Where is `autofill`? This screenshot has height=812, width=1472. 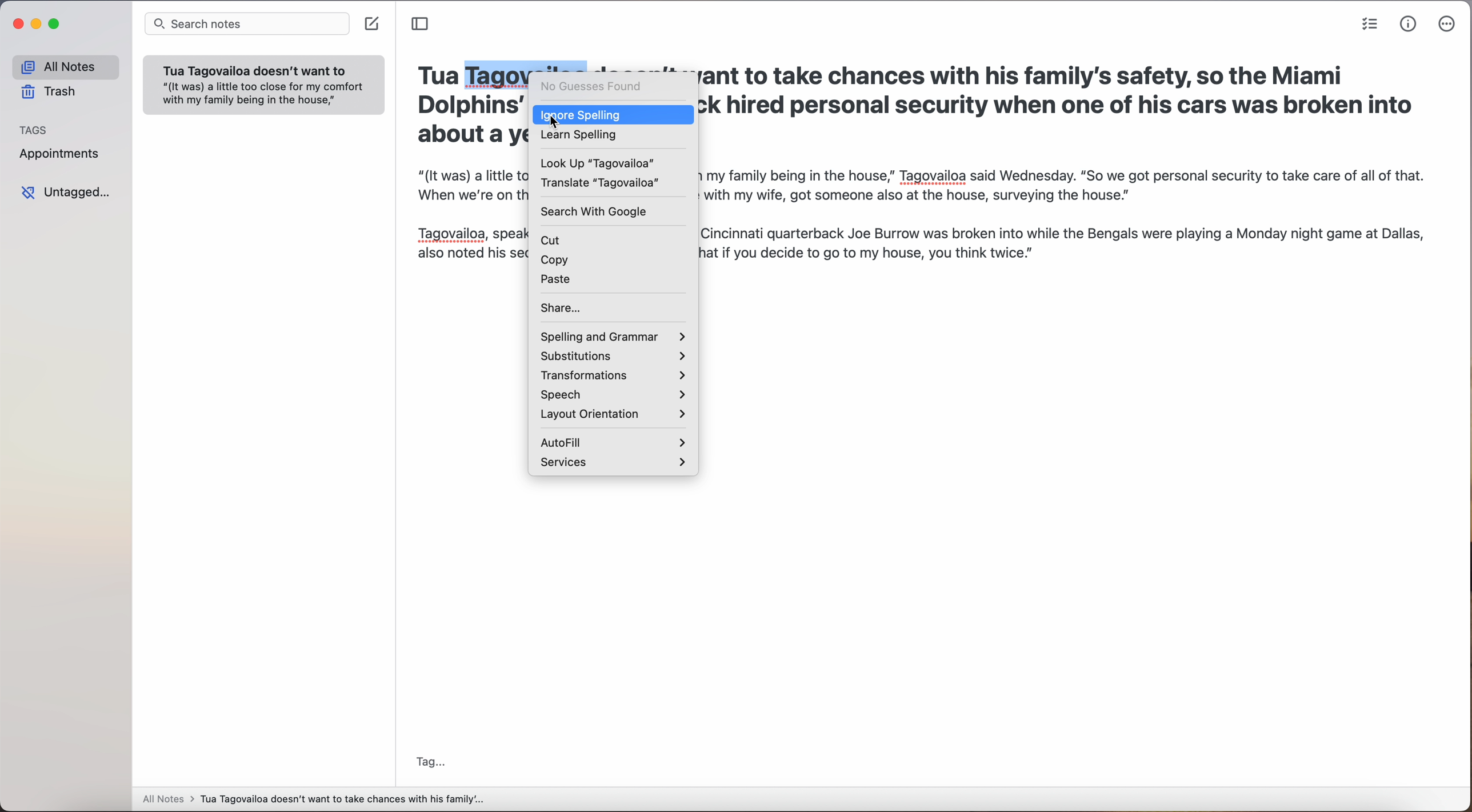
autofill is located at coordinates (614, 441).